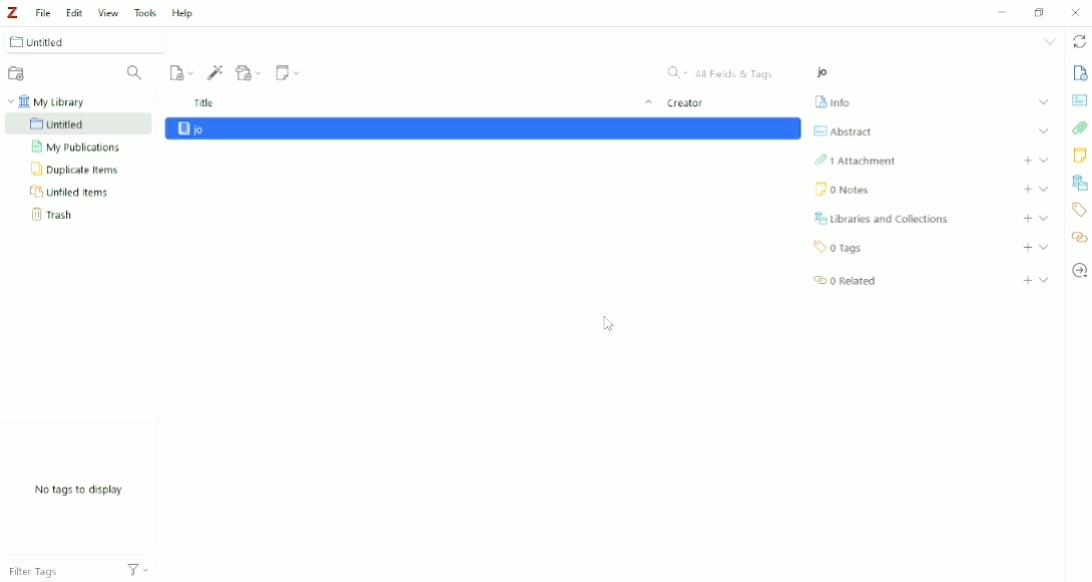  I want to click on Add Item (s) by Identifier, so click(215, 72).